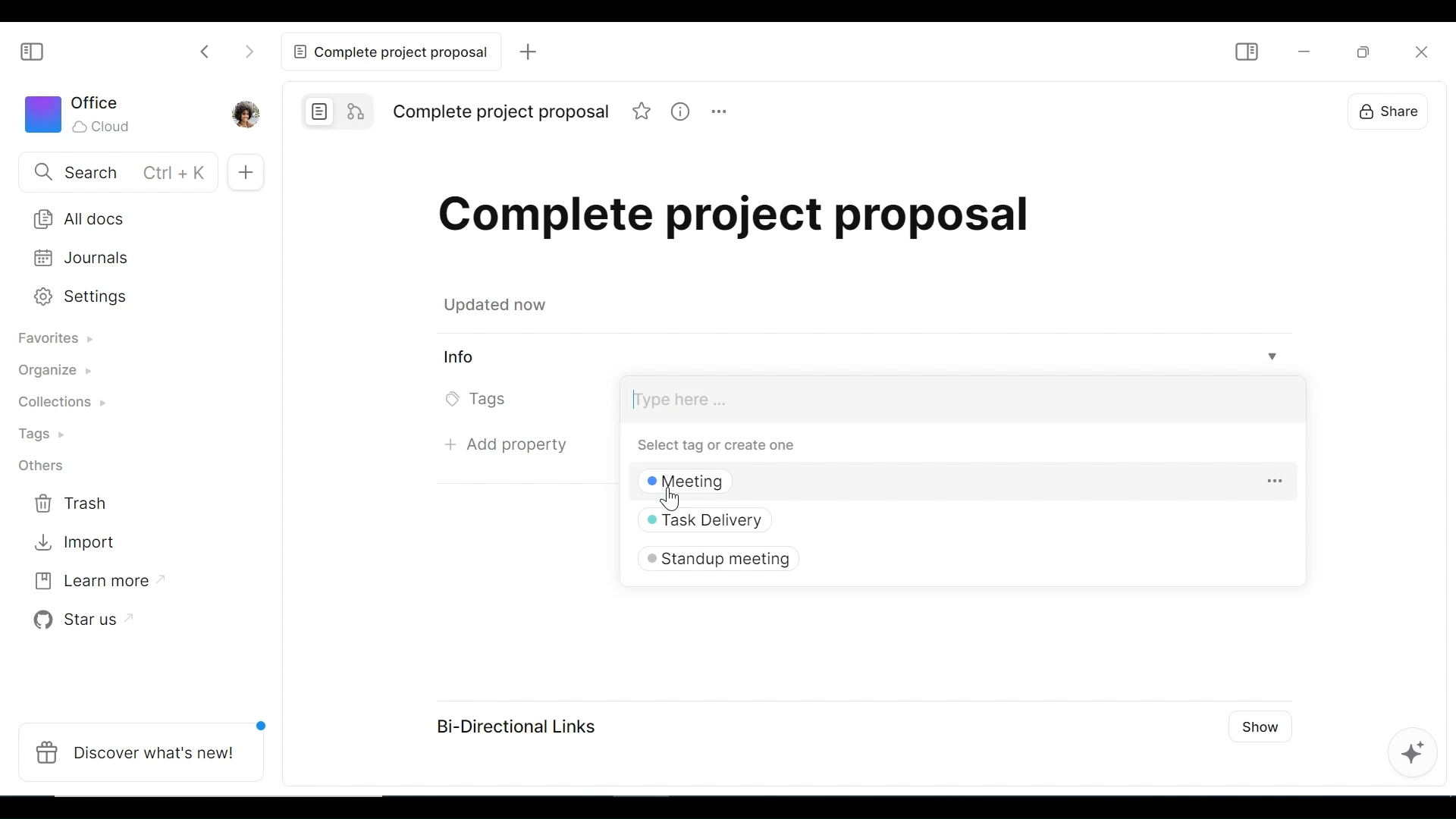 This screenshot has width=1456, height=819. I want to click on Show/Hide Sidebar, so click(33, 50).